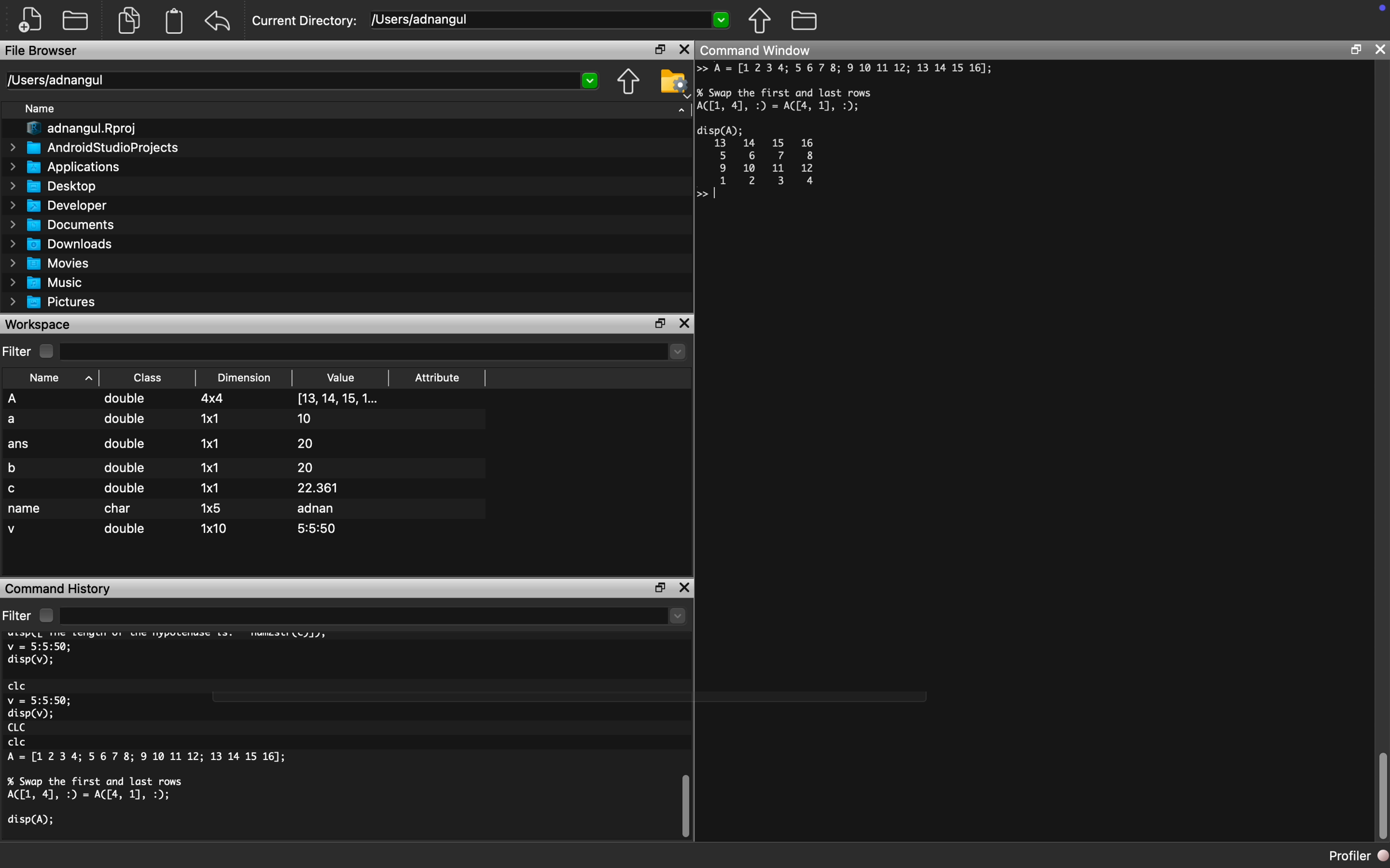 This screenshot has height=868, width=1390. I want to click on Workspace, so click(44, 324).